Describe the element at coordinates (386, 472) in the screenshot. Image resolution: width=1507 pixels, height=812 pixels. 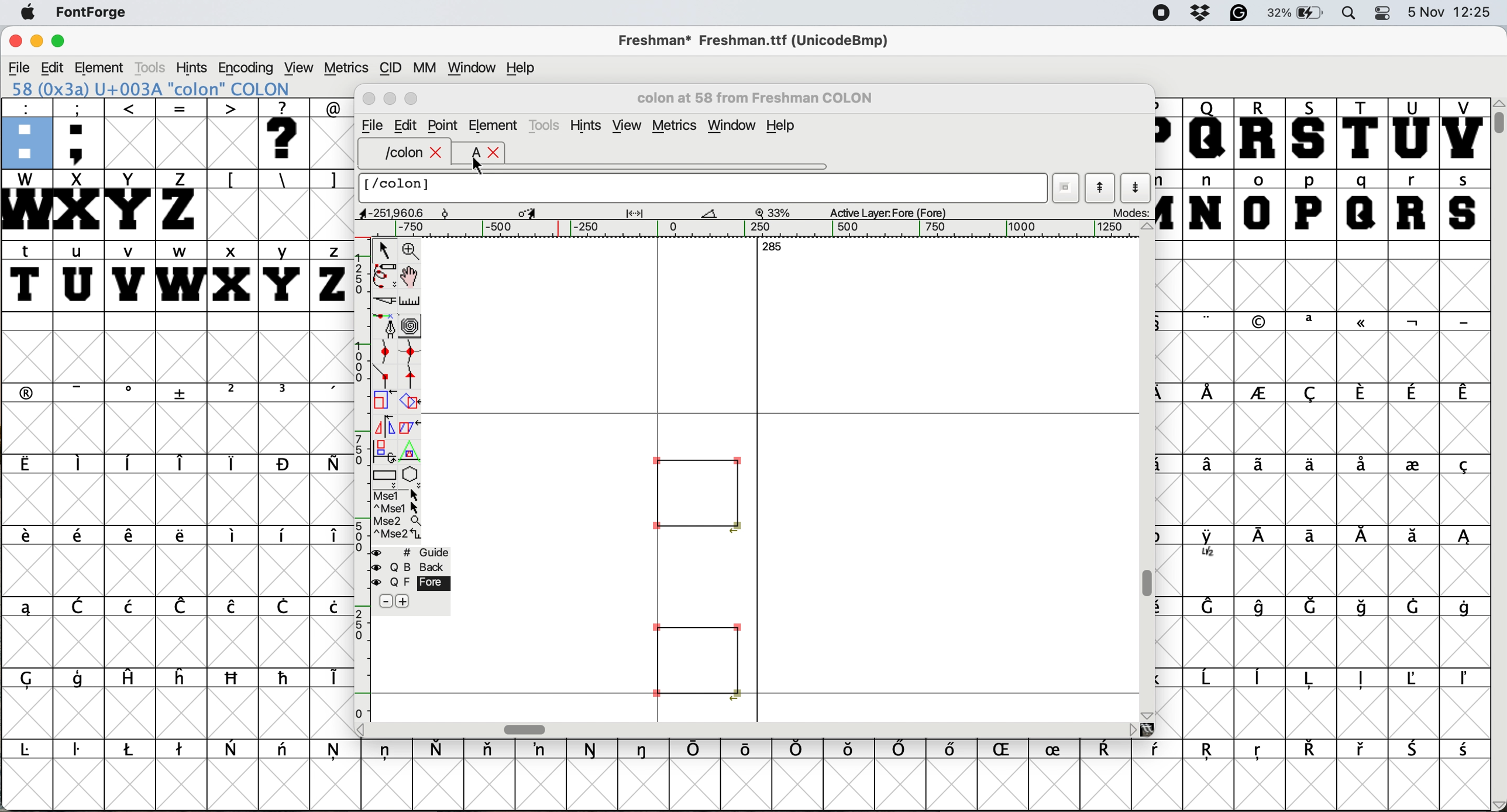
I see `rectangle or box` at that location.